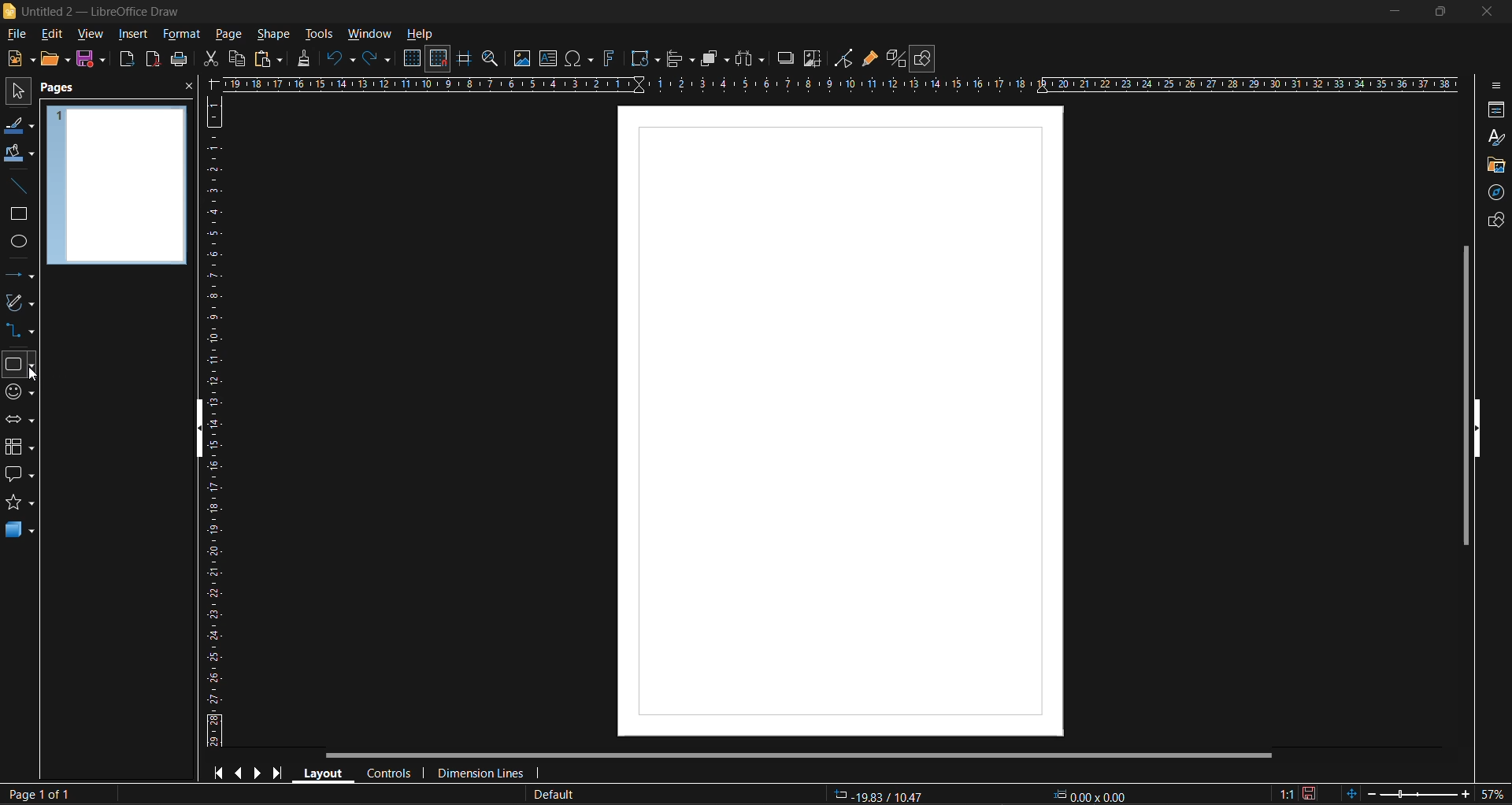 This screenshot has height=805, width=1512. What do you see at coordinates (20, 301) in the screenshot?
I see `curves and polygons` at bounding box center [20, 301].